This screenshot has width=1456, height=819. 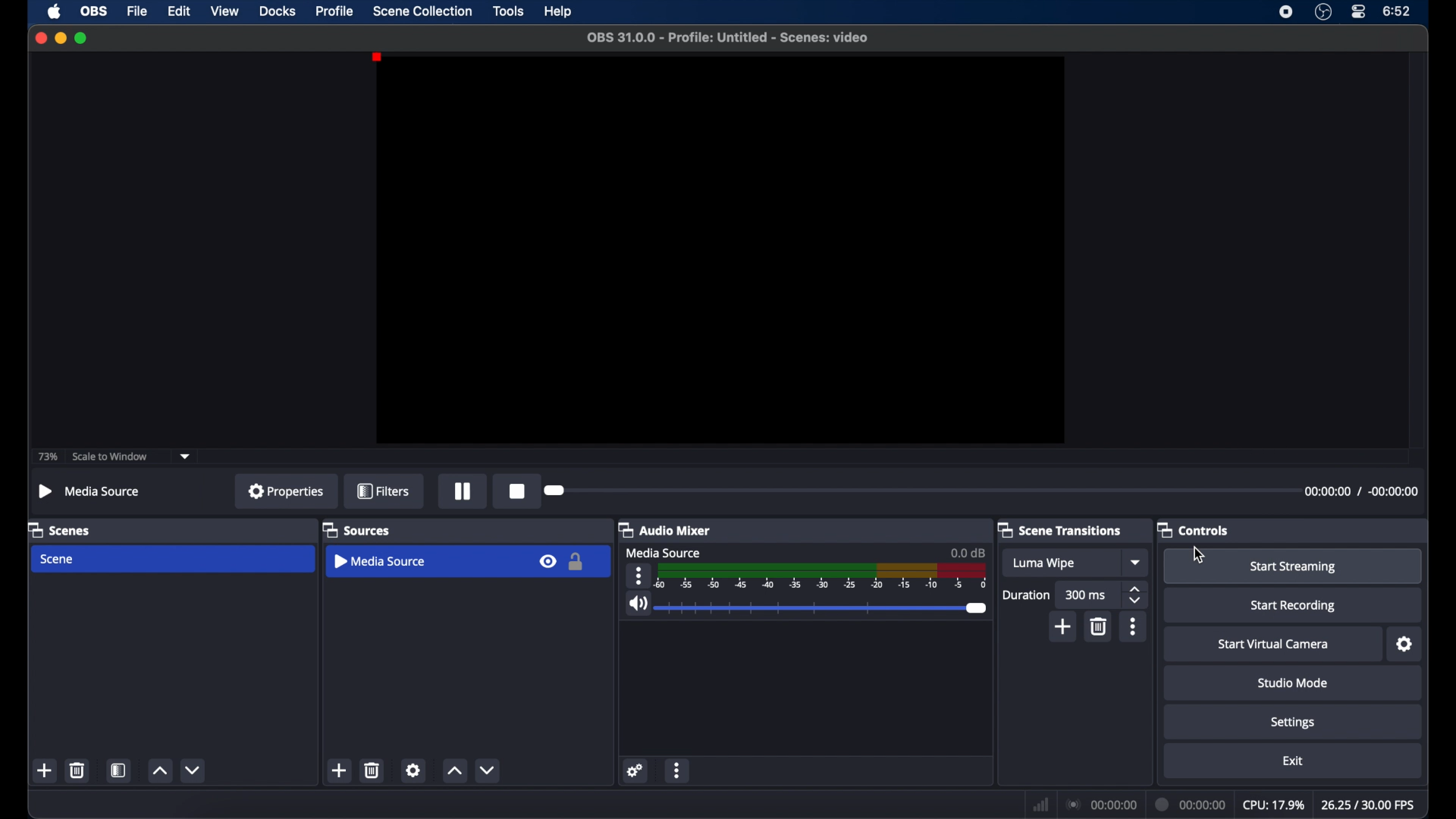 What do you see at coordinates (1367, 805) in the screenshot?
I see `fps` at bounding box center [1367, 805].